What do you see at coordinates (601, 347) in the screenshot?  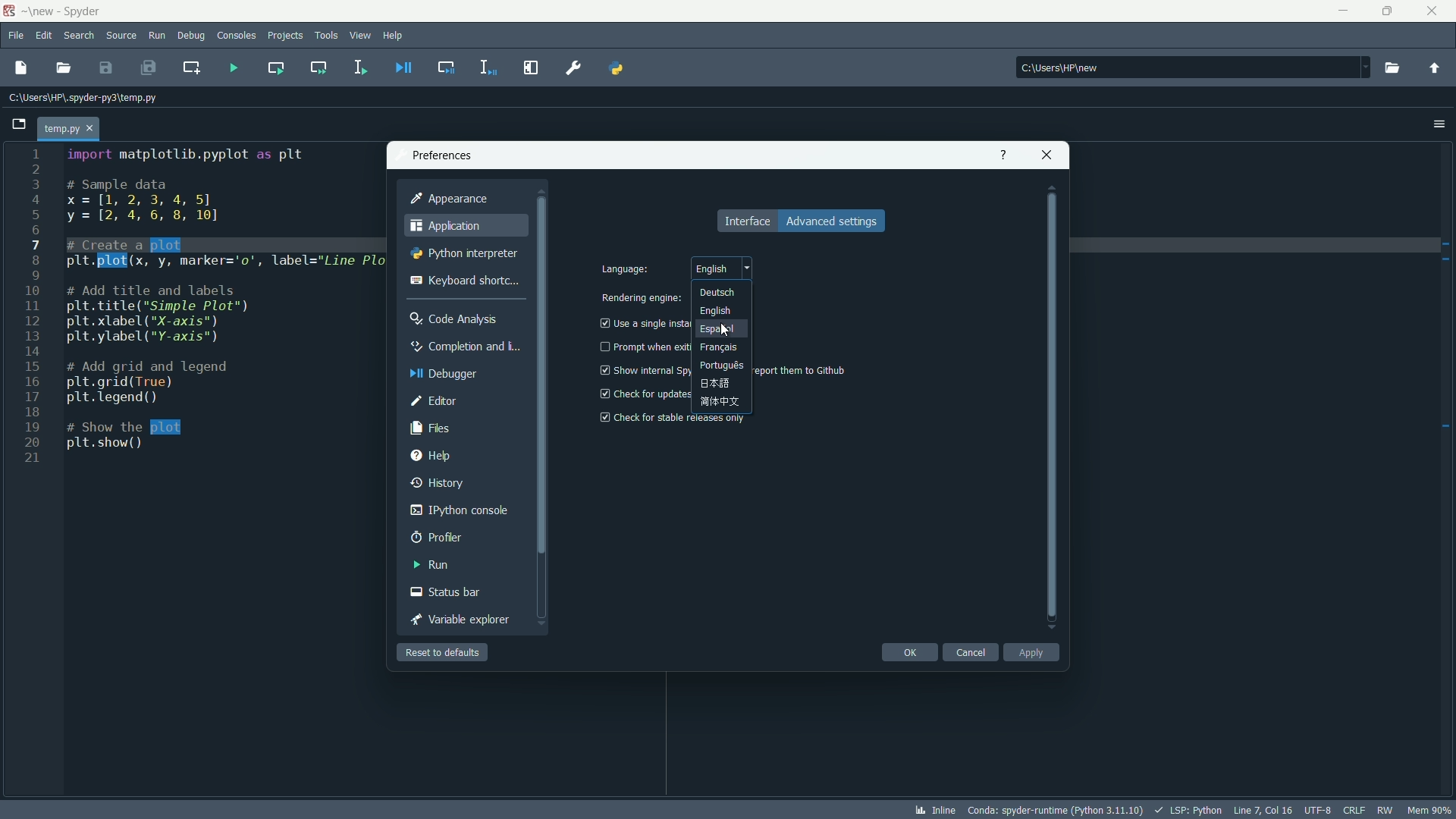 I see `check box` at bounding box center [601, 347].